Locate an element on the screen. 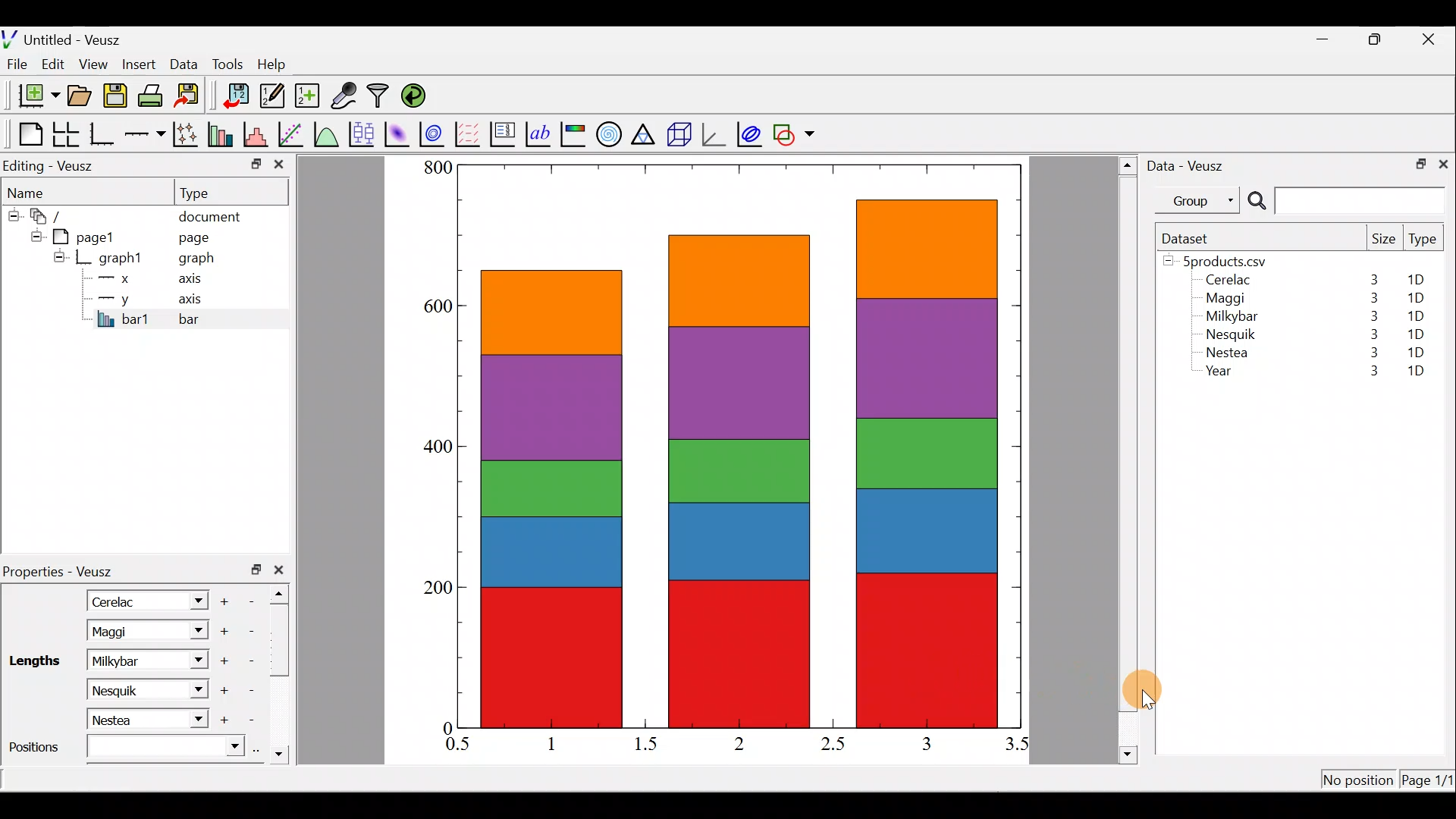 The width and height of the screenshot is (1456, 819). hide is located at coordinates (12, 213).